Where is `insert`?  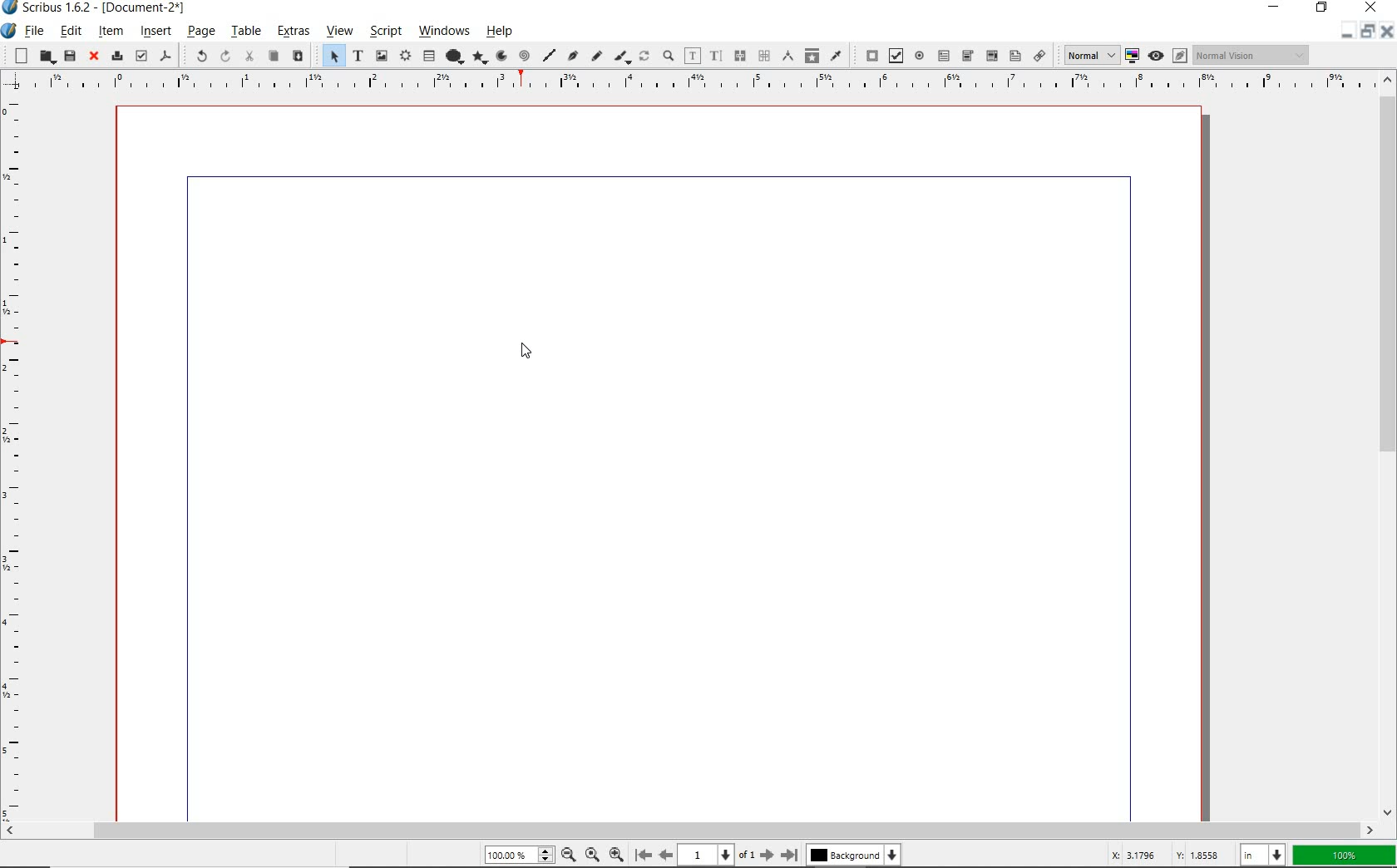
insert is located at coordinates (155, 31).